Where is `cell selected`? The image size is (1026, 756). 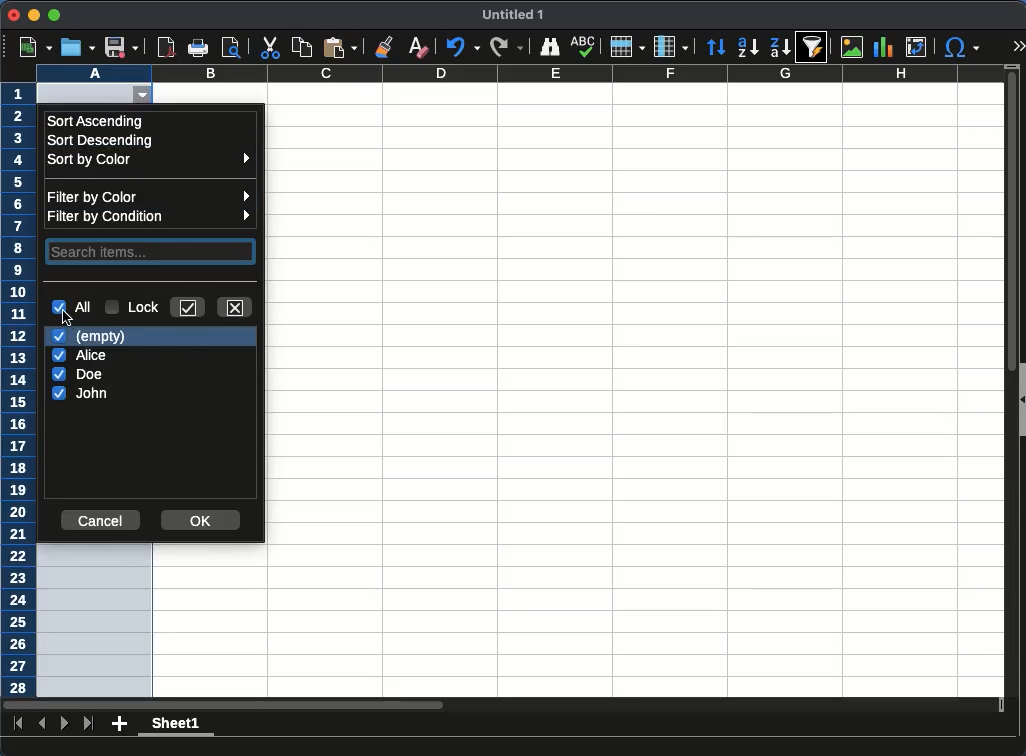 cell selected is located at coordinates (83, 93).